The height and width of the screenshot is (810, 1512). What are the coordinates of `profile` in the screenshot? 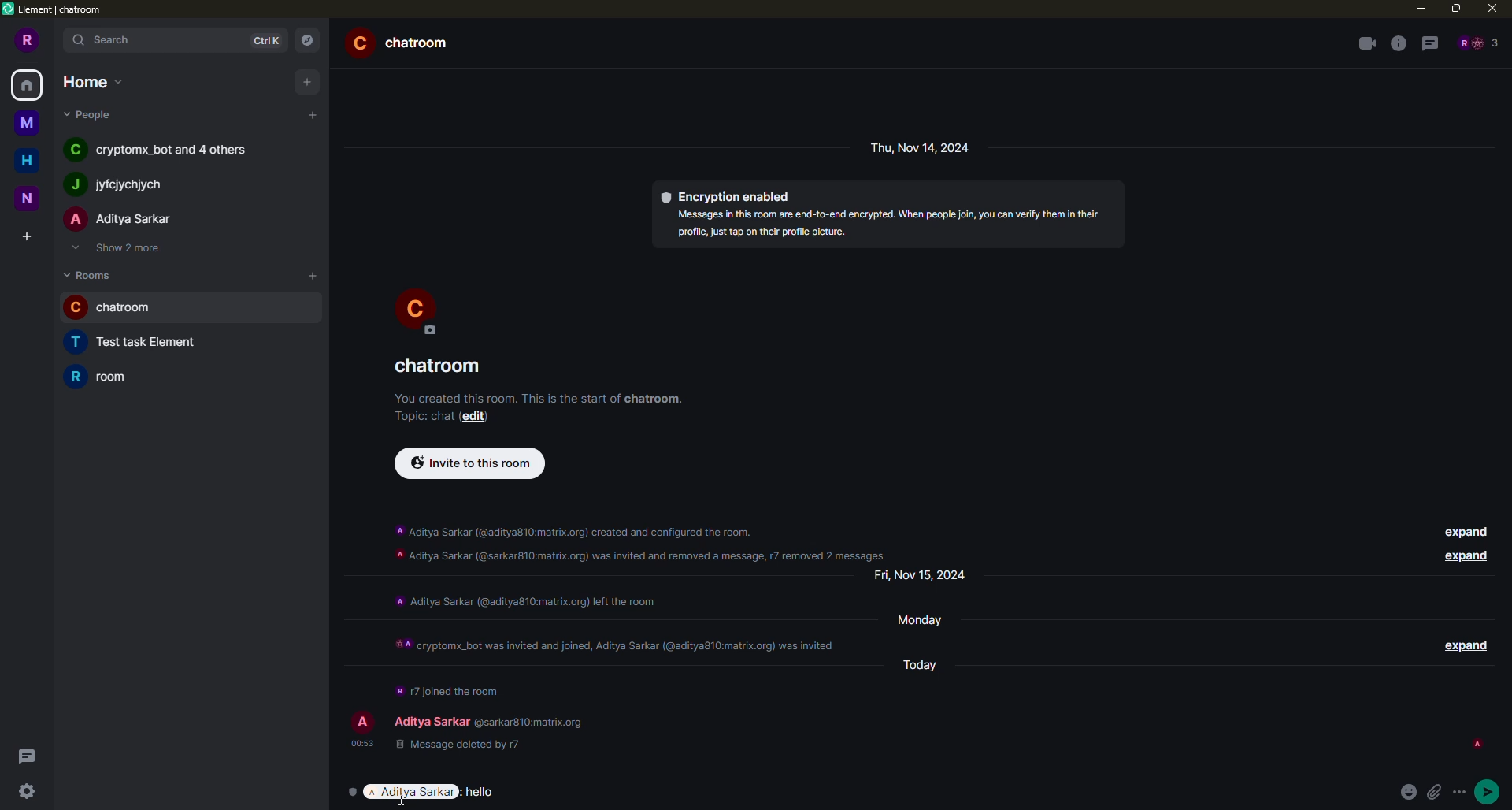 It's located at (417, 309).